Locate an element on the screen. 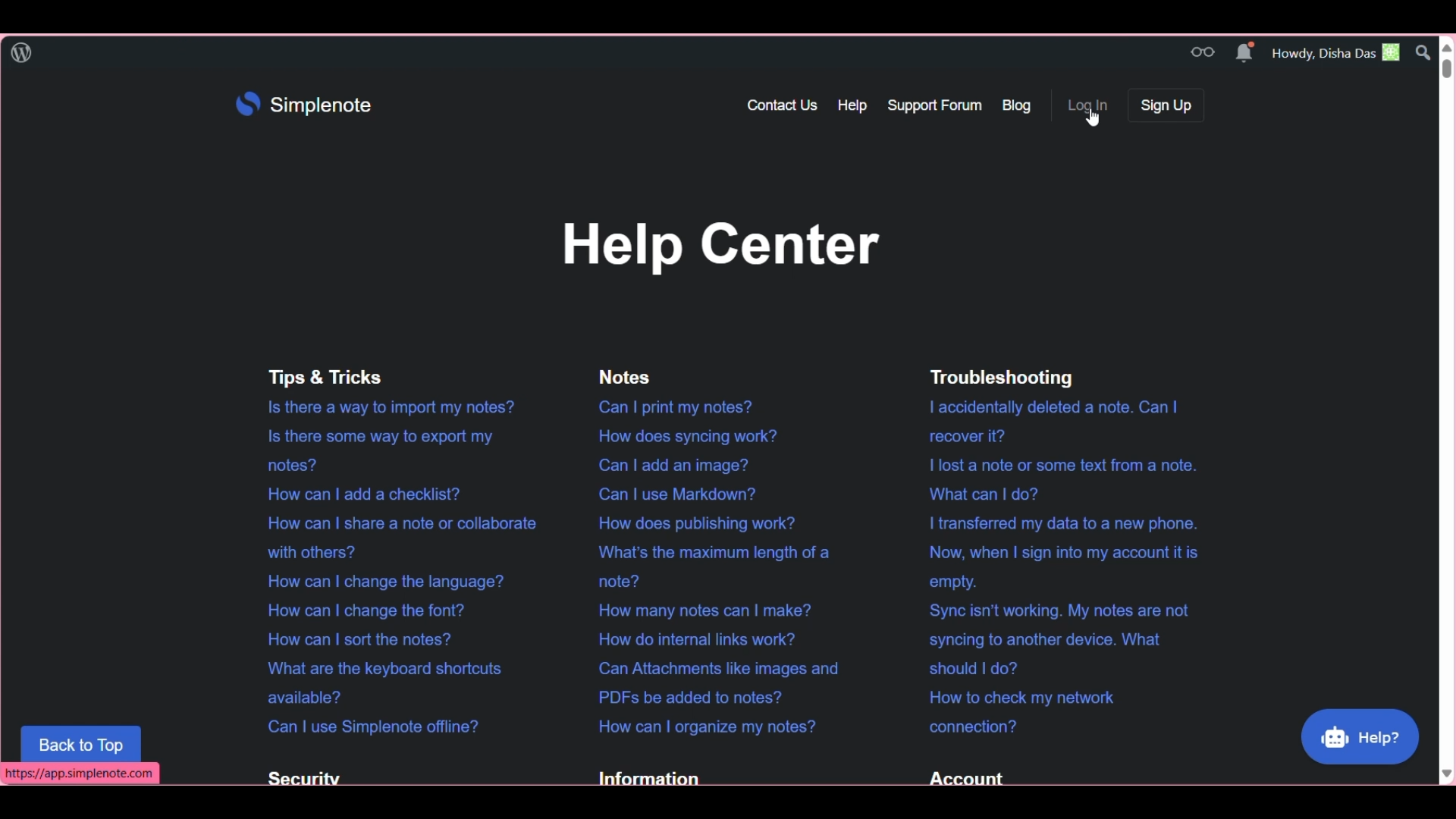 This screenshot has width=1456, height=819. Click to go to WordPress dashboard is located at coordinates (20, 53).